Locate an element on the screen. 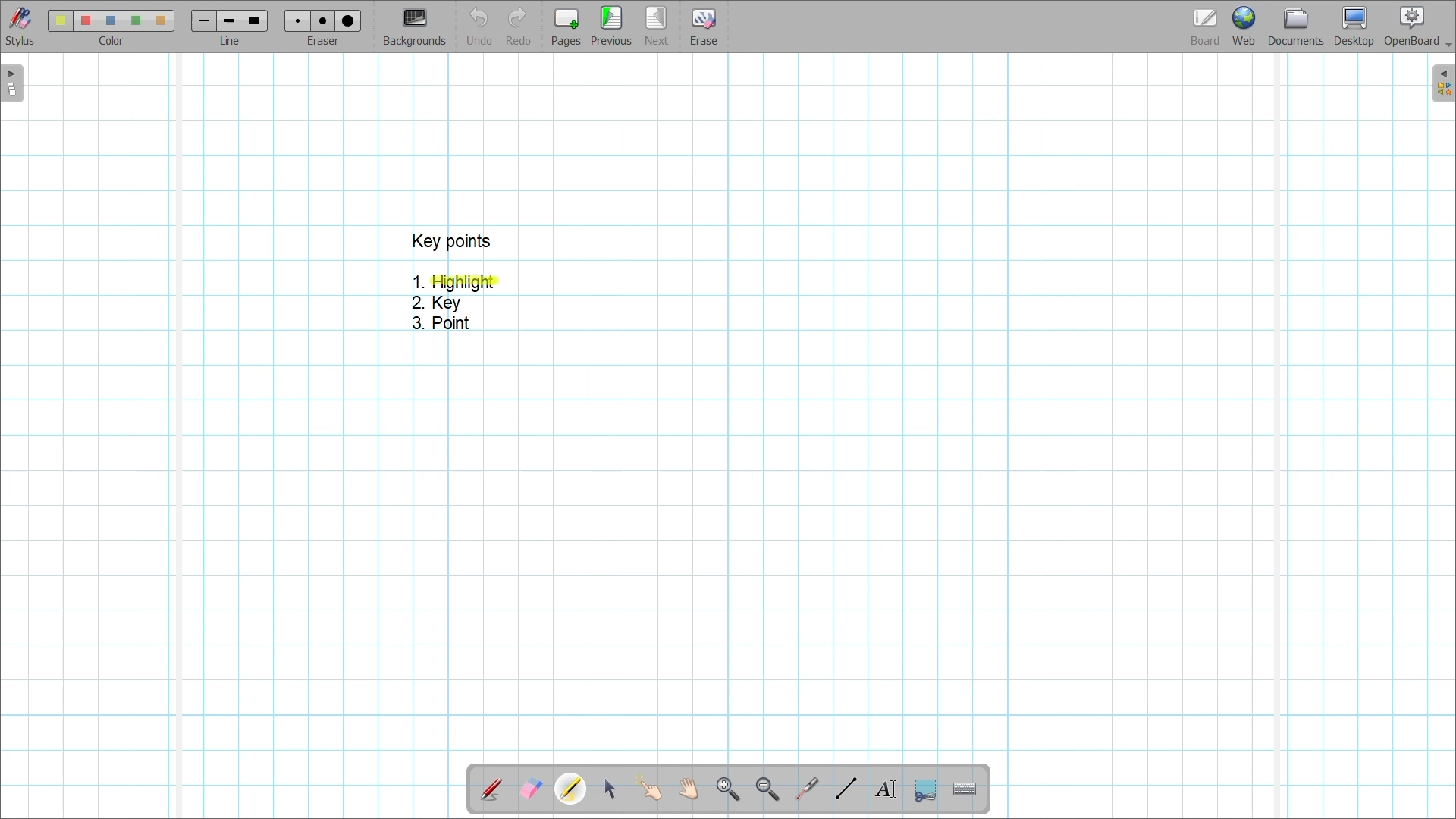 The height and width of the screenshot is (819, 1456). Change background is located at coordinates (414, 27).